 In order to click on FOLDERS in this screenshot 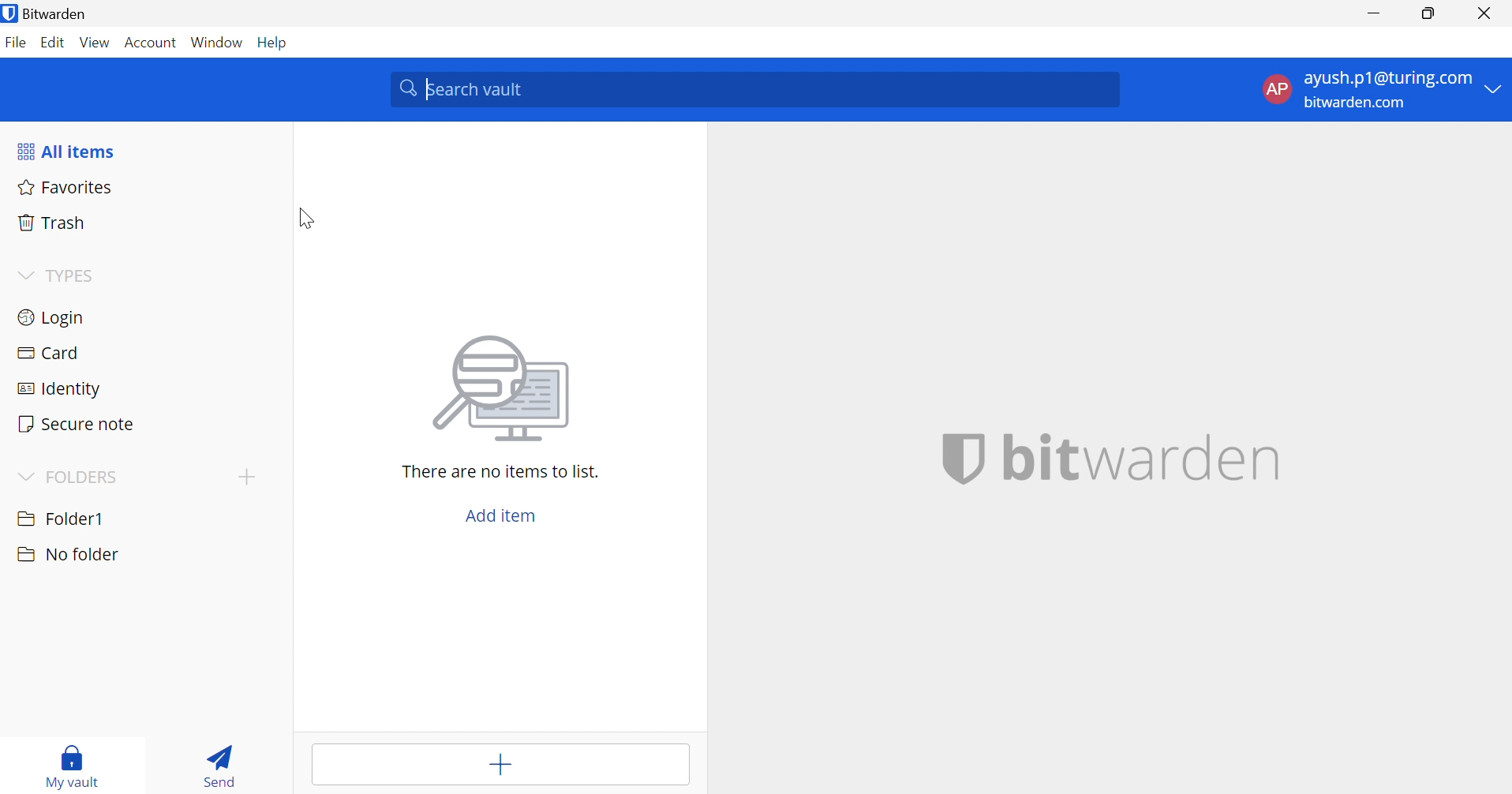, I will do `click(83, 477)`.